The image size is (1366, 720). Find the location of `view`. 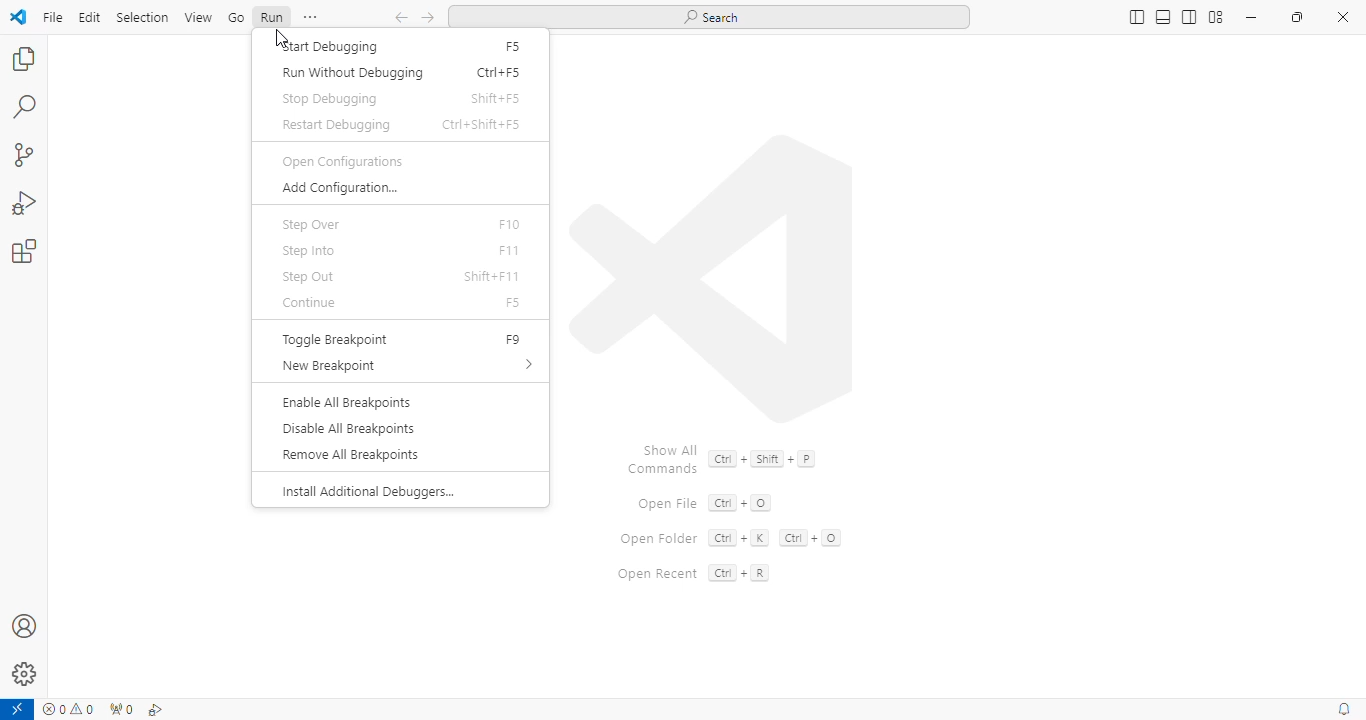

view is located at coordinates (199, 18).